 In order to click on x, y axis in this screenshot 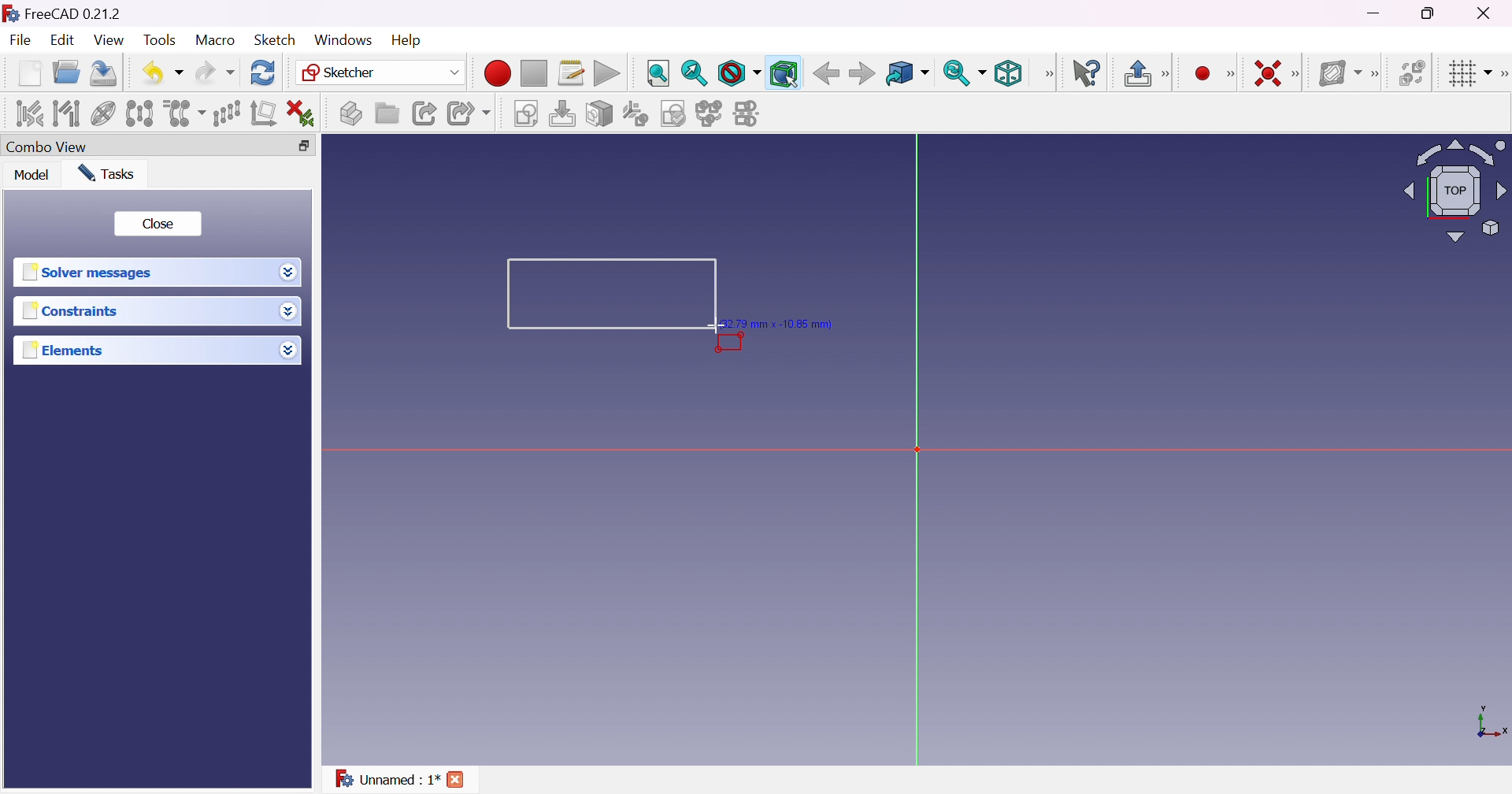, I will do `click(1489, 723)`.